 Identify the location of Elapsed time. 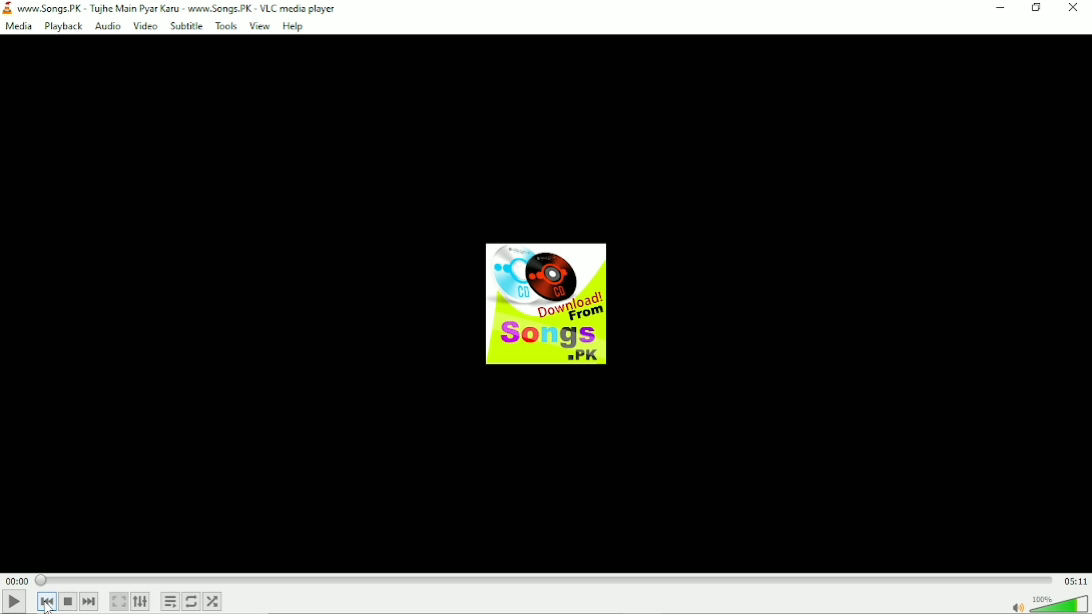
(16, 580).